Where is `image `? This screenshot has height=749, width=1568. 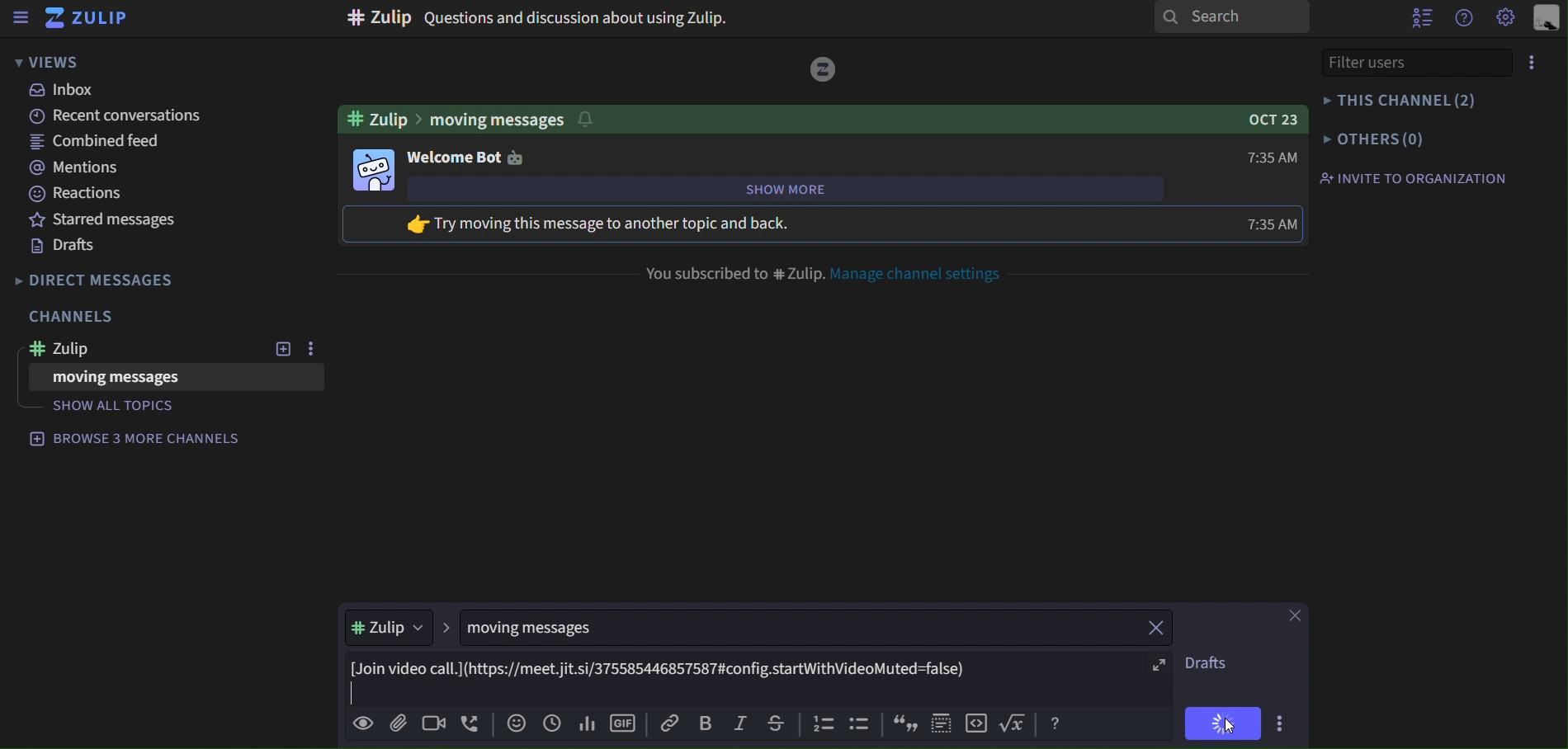
image  is located at coordinates (824, 68).